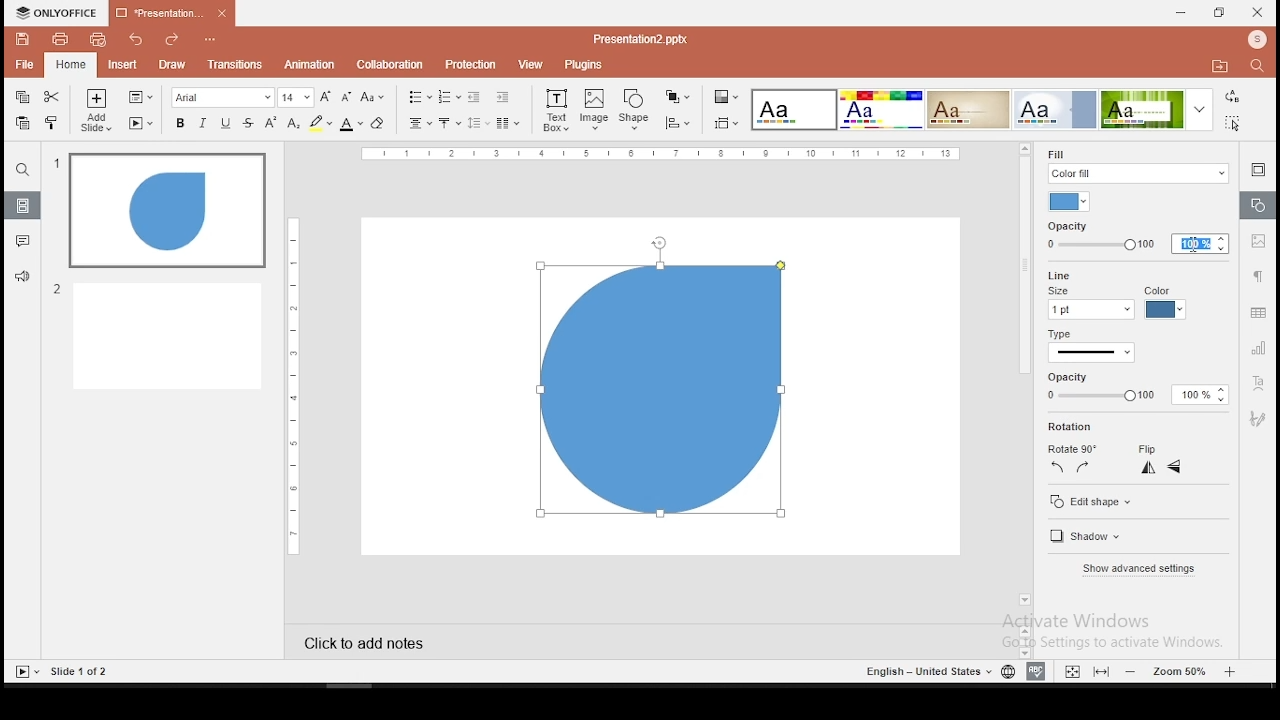 The width and height of the screenshot is (1280, 720). What do you see at coordinates (350, 125) in the screenshot?
I see `font color` at bounding box center [350, 125].